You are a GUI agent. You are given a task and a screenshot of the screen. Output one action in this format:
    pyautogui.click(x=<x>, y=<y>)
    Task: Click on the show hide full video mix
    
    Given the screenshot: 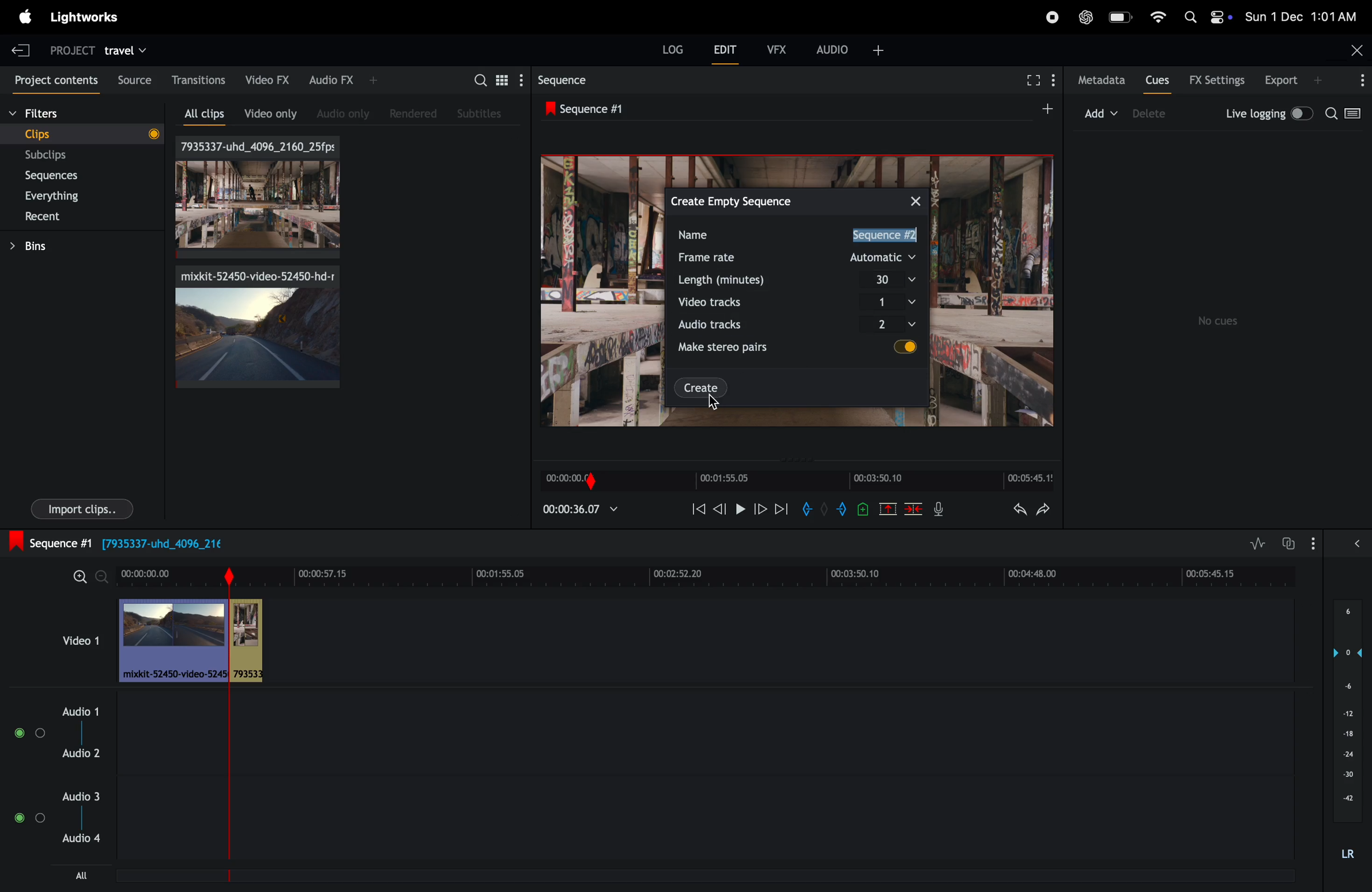 What is the action you would take?
    pyautogui.click(x=1357, y=543)
    